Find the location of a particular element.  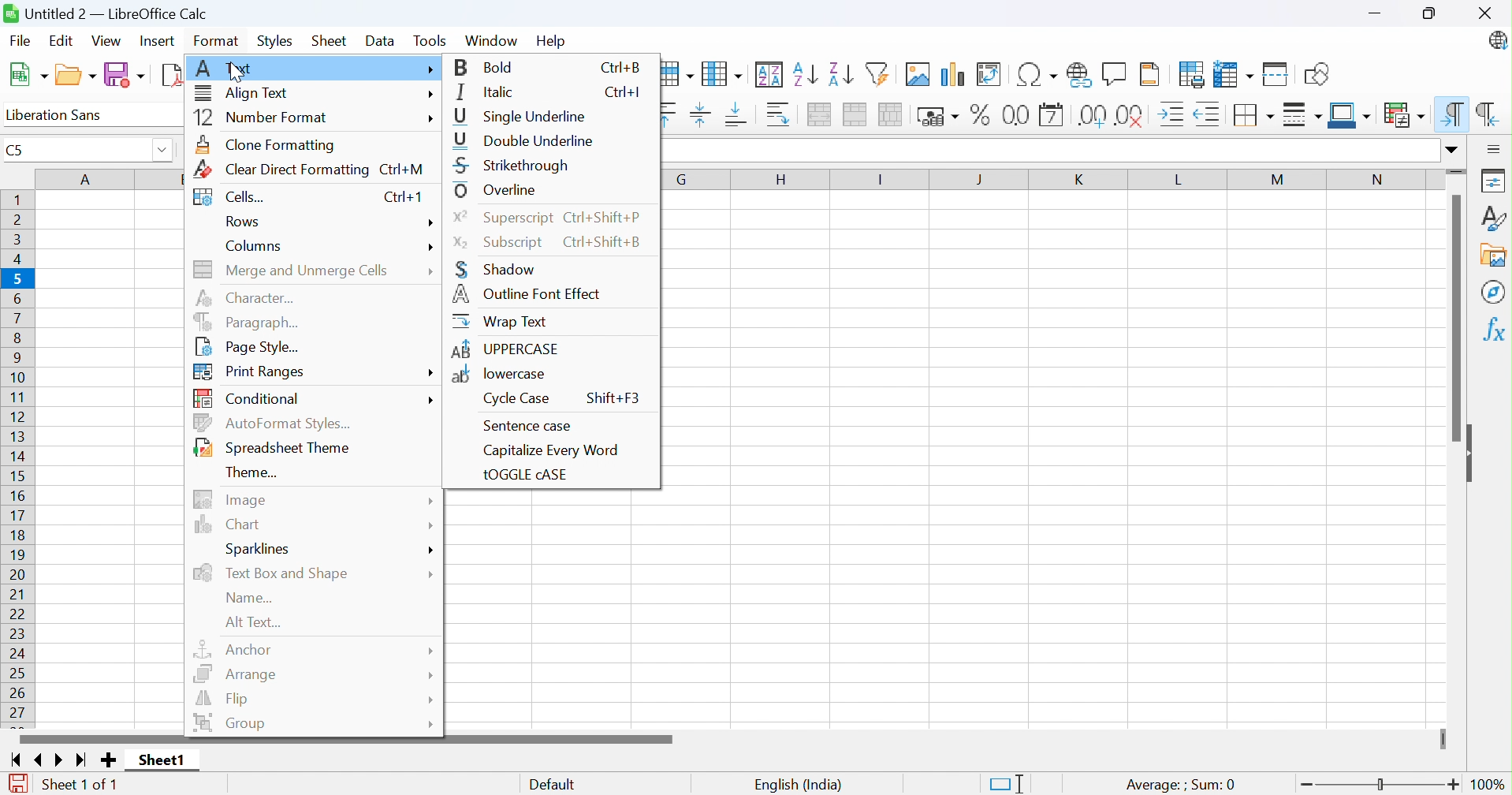

New is located at coordinates (28, 76).